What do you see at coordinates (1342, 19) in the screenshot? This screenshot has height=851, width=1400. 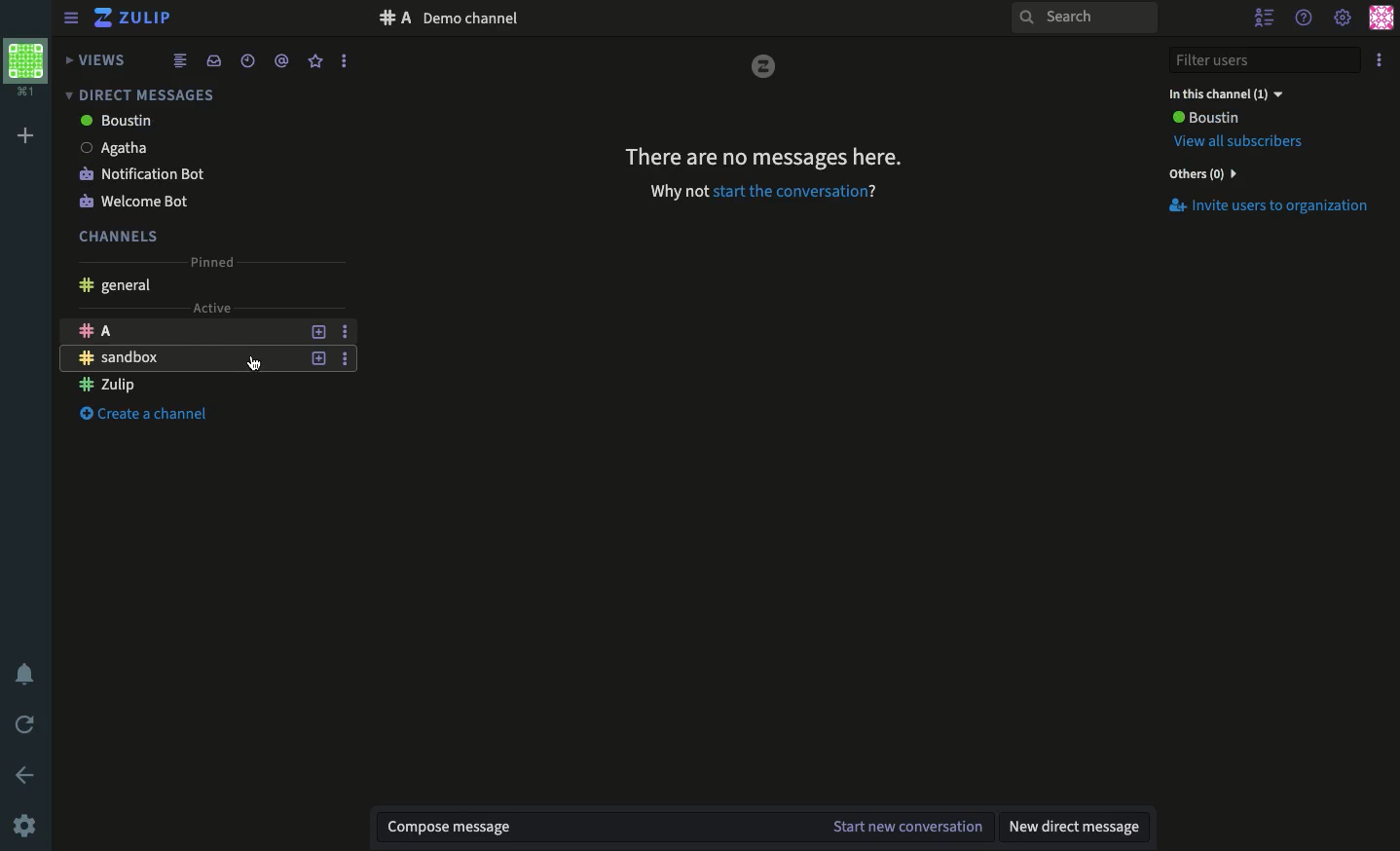 I see `Settings ` at bounding box center [1342, 19].